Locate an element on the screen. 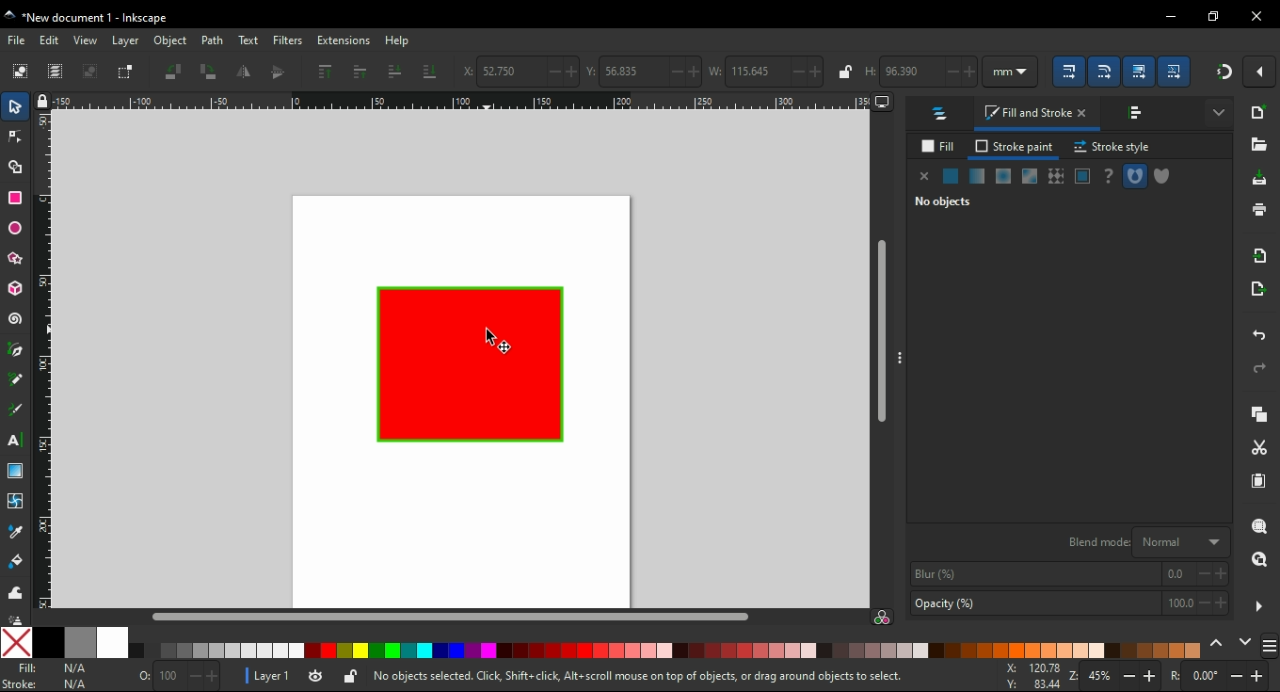 The image size is (1280, 692). select all is located at coordinates (21, 73).